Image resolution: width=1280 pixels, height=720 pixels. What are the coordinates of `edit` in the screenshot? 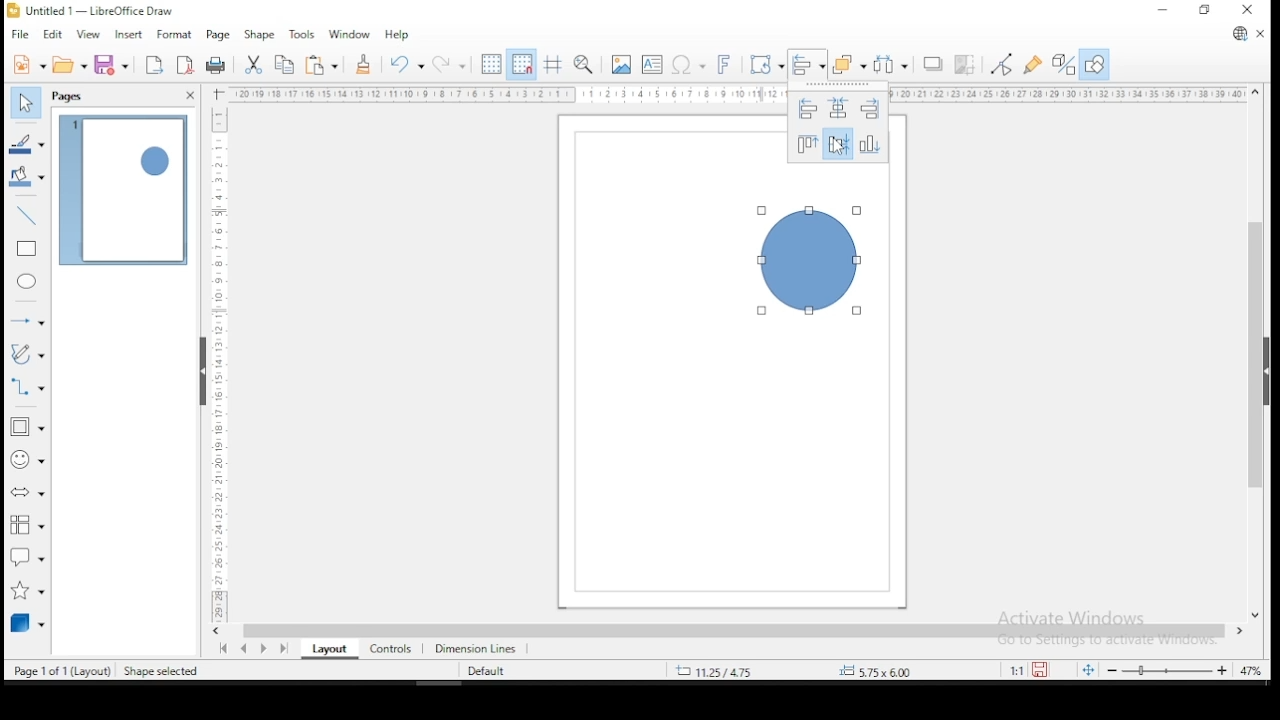 It's located at (52, 35).